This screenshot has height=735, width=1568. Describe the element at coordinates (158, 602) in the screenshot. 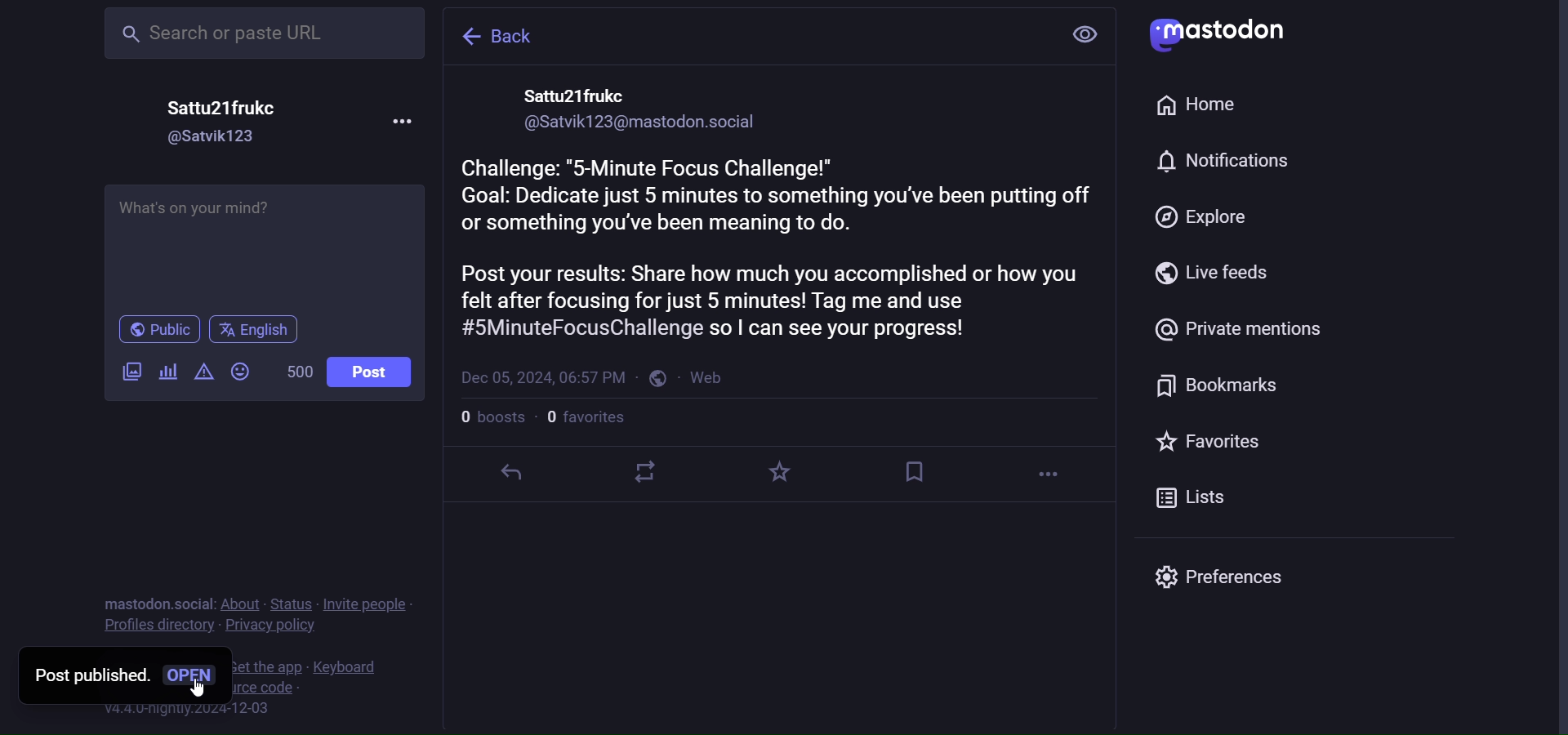

I see `mastodon social` at that location.